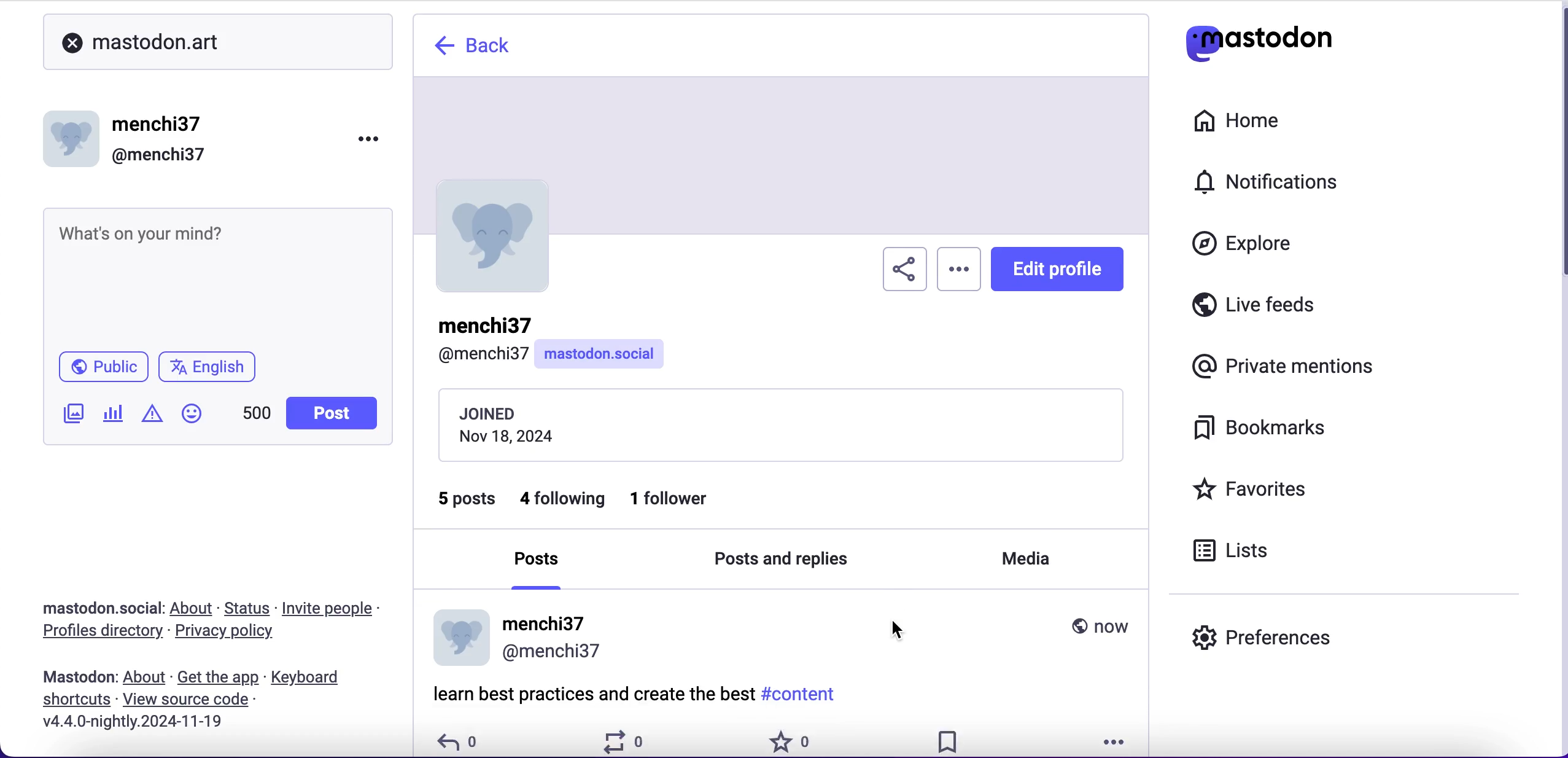  I want to click on favorite, so click(789, 738).